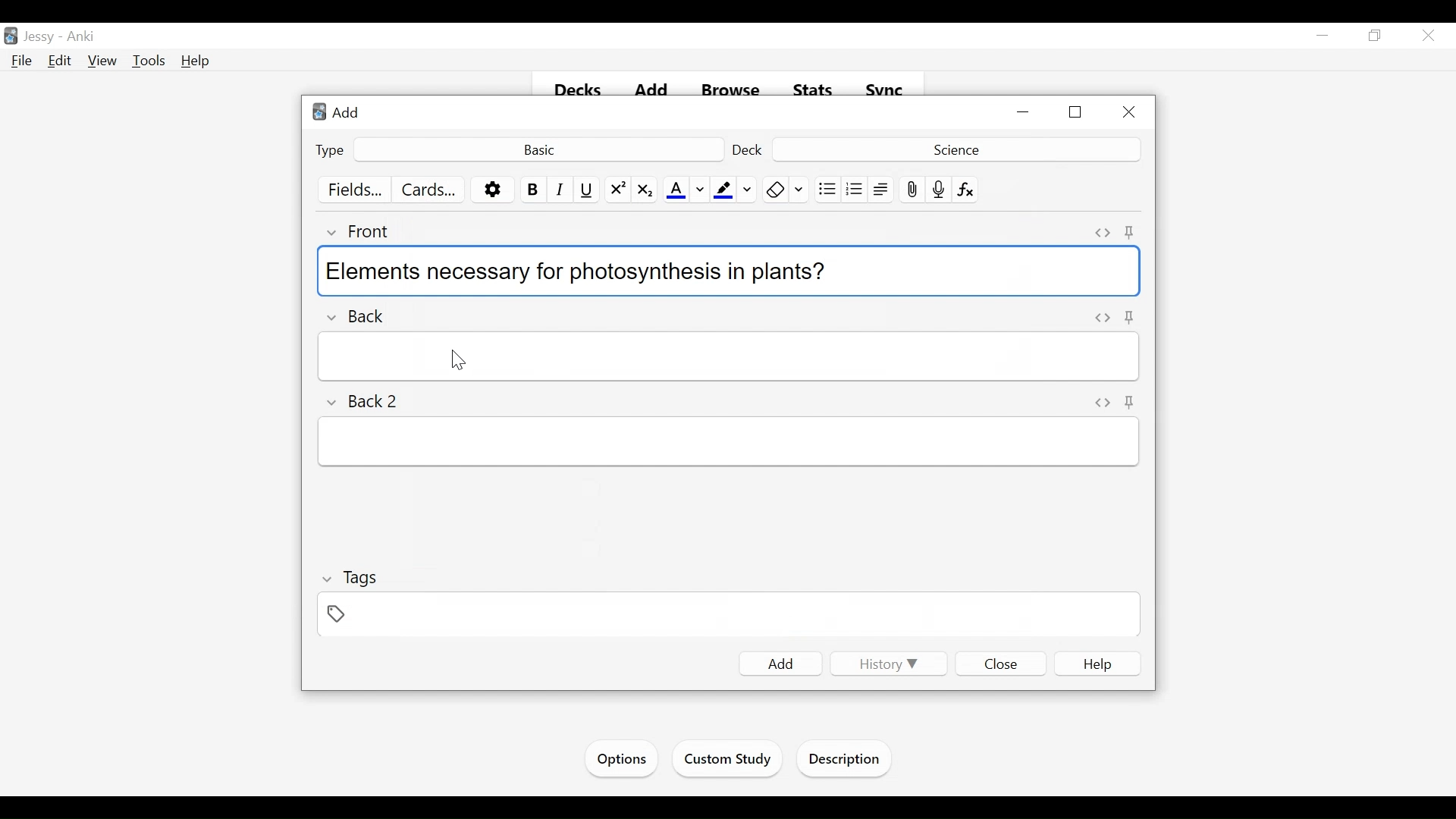 This screenshot has height=819, width=1456. What do you see at coordinates (196, 61) in the screenshot?
I see `Help` at bounding box center [196, 61].